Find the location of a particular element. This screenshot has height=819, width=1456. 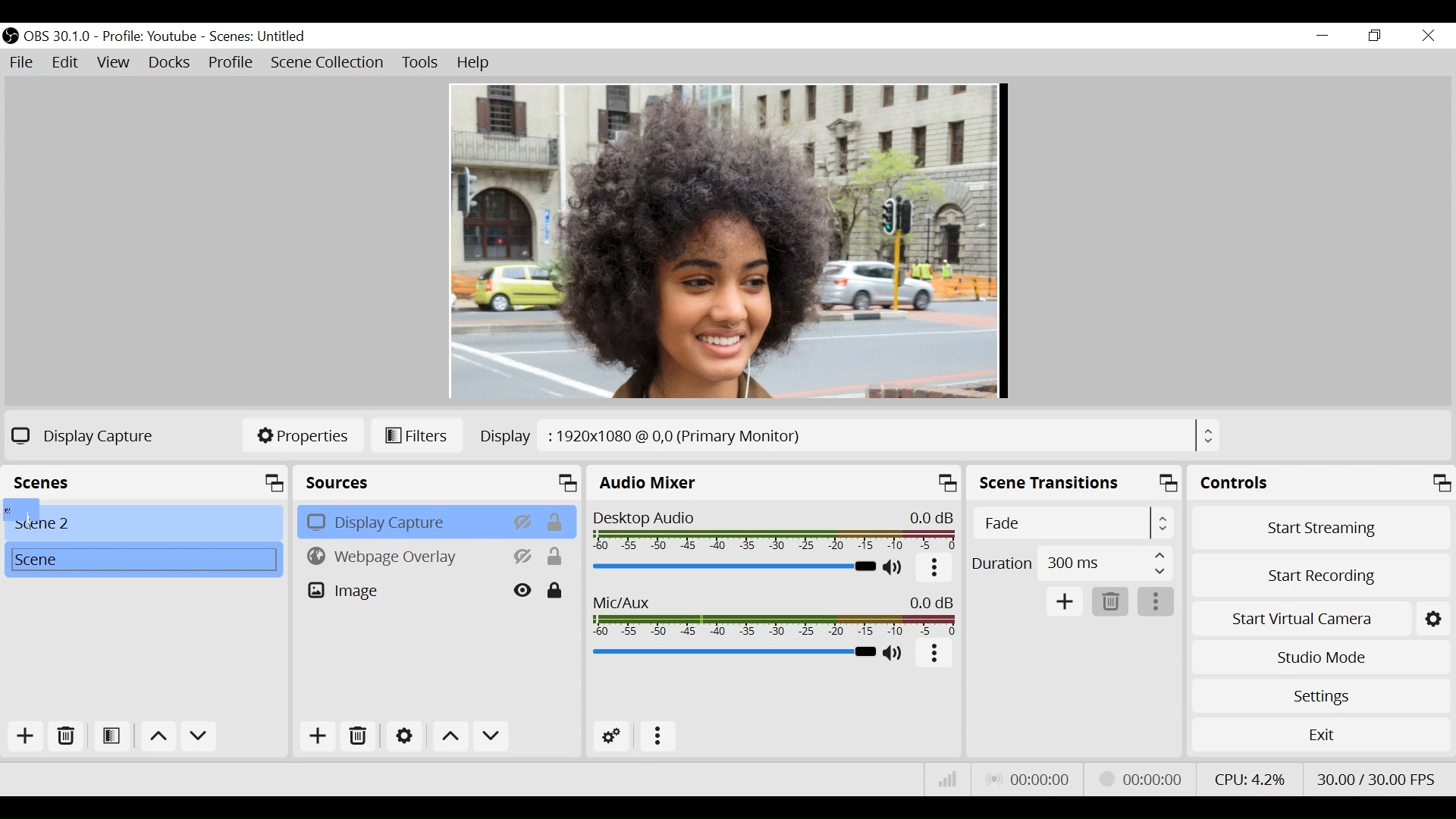

Select Scene Transitions  is located at coordinates (1072, 522).